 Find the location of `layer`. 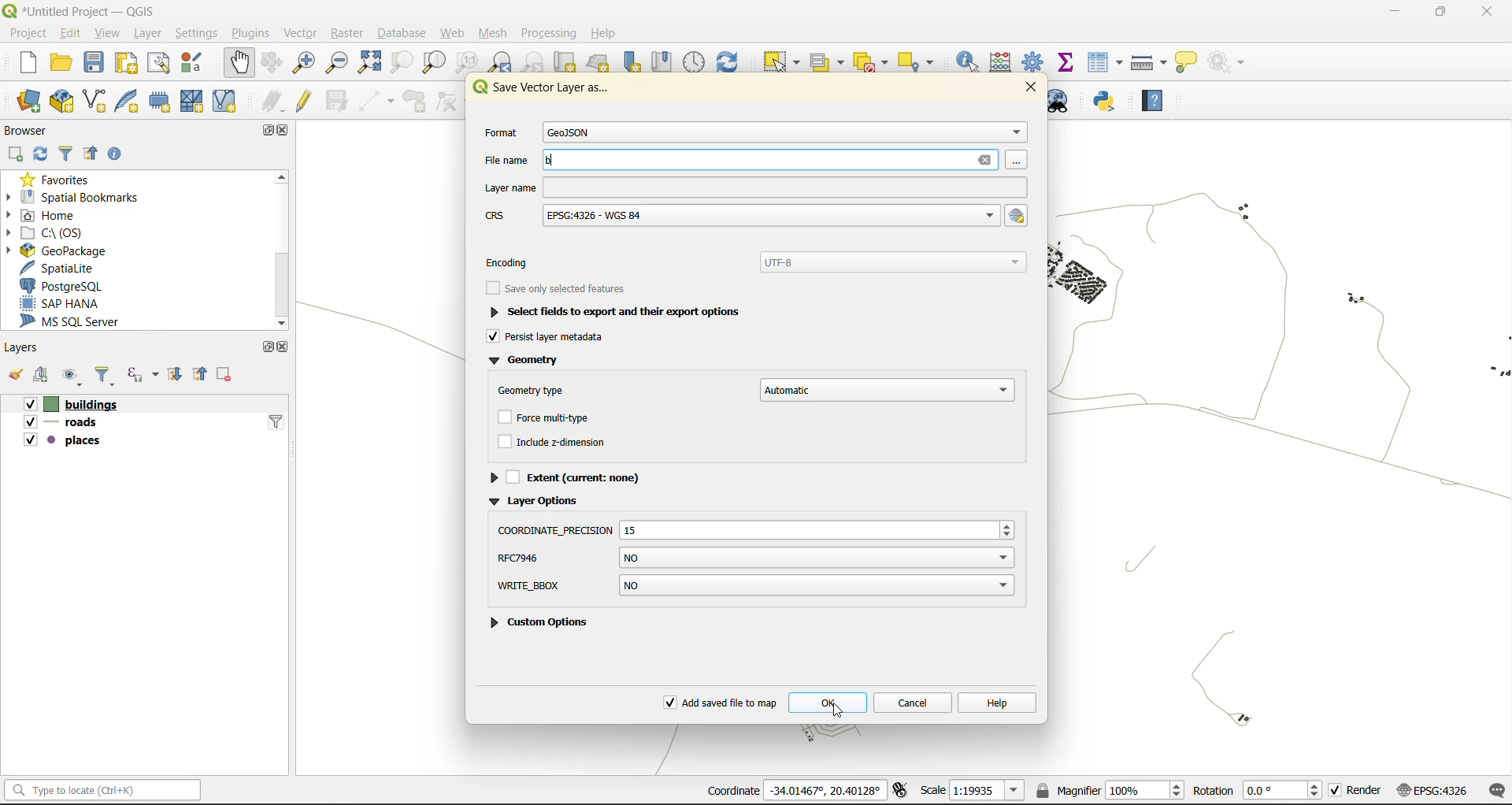

layer is located at coordinates (146, 34).